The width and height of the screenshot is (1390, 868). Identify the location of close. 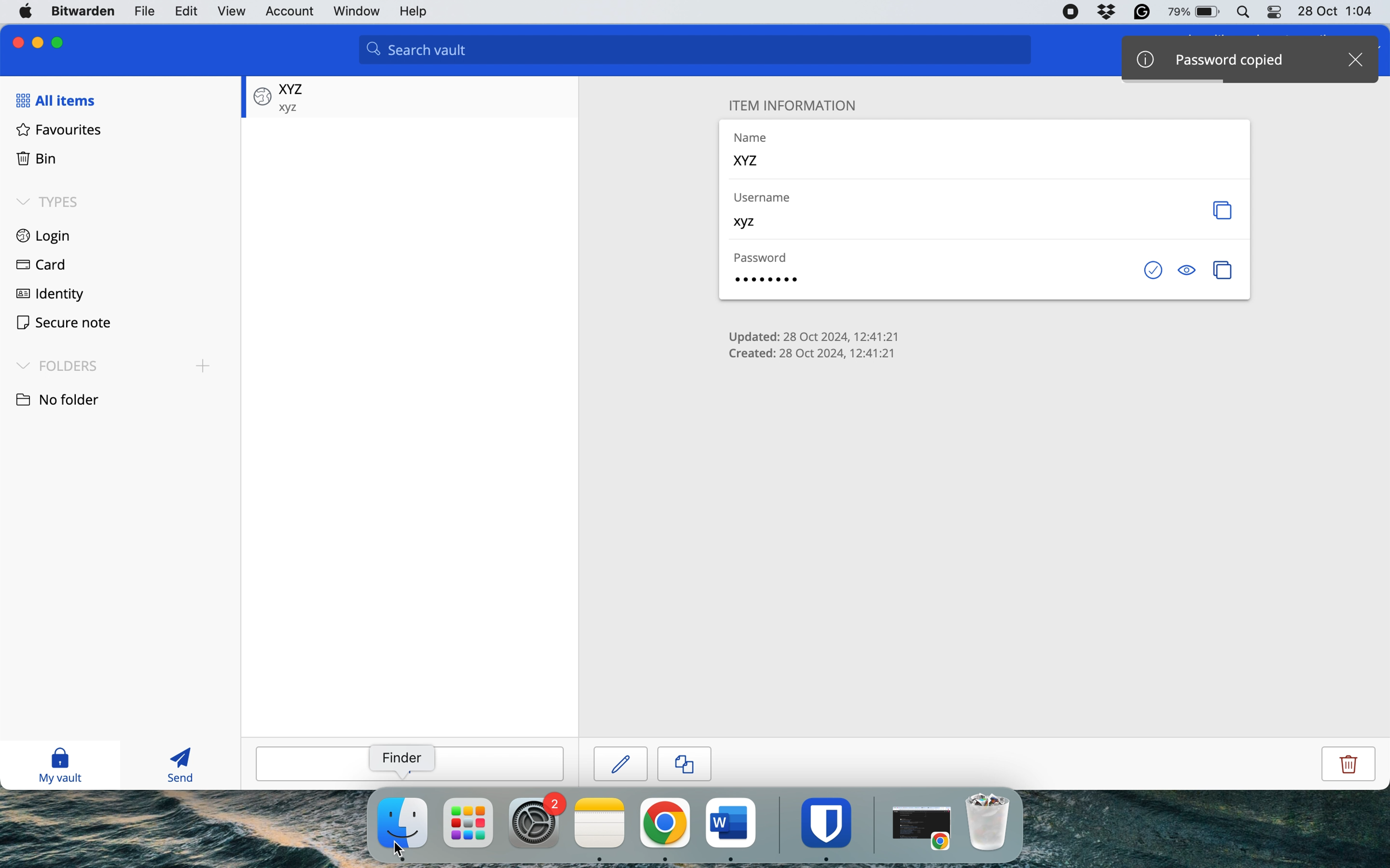
(1358, 56).